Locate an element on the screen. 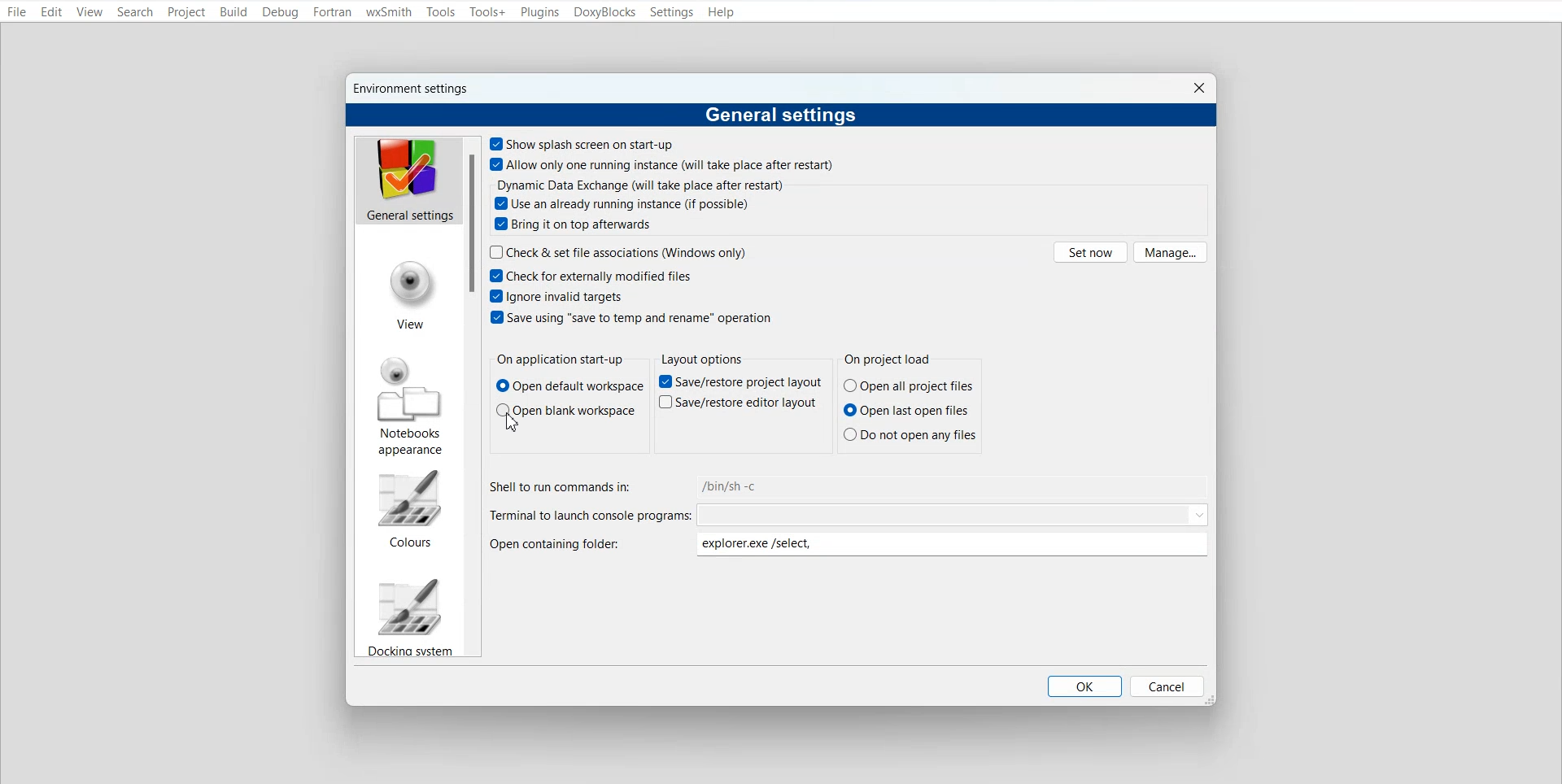 The width and height of the screenshot is (1562, 784). Ignore invalid Target is located at coordinates (560, 295).